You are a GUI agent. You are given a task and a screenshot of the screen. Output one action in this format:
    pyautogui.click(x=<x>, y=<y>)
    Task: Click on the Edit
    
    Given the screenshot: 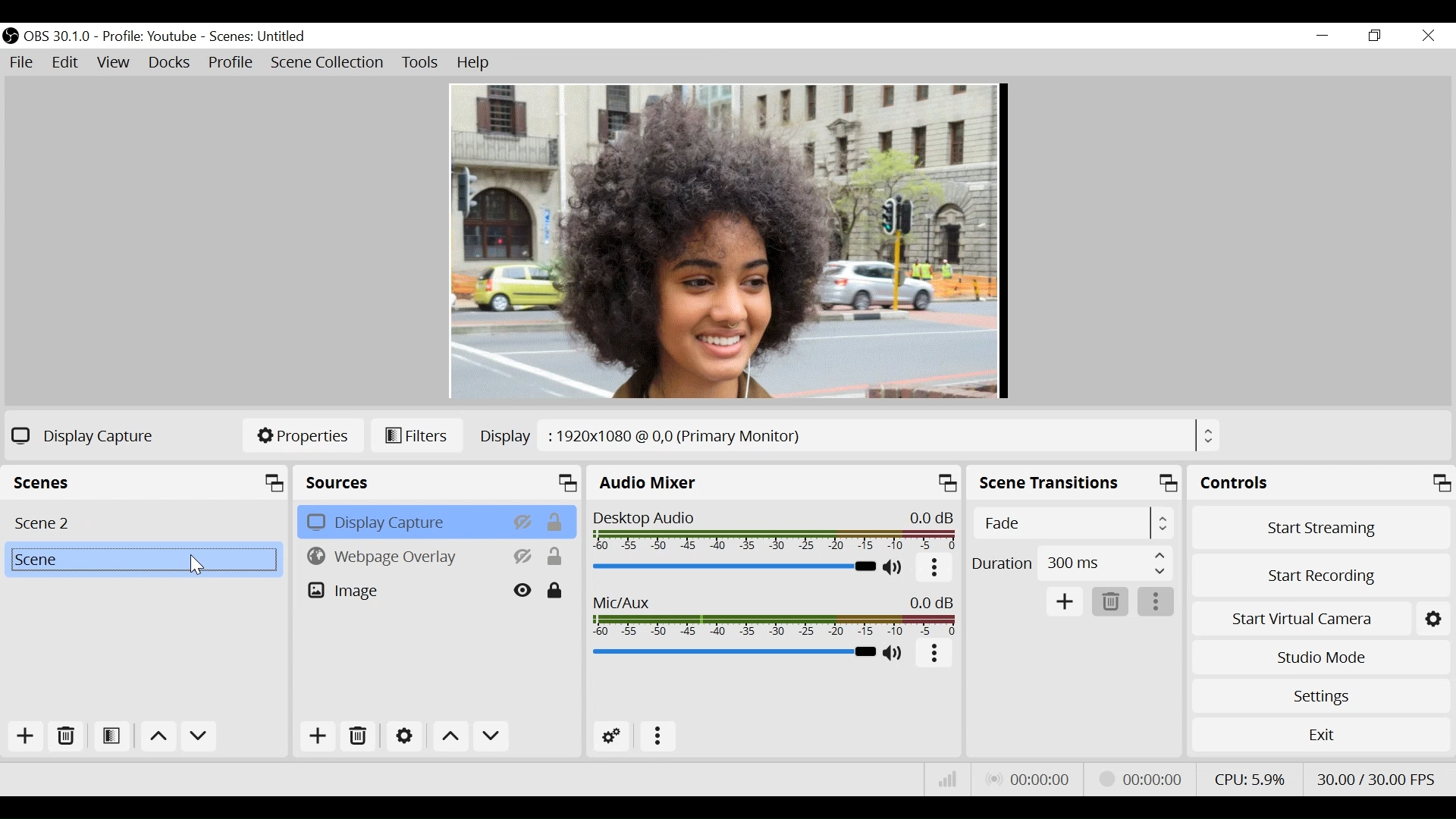 What is the action you would take?
    pyautogui.click(x=64, y=63)
    